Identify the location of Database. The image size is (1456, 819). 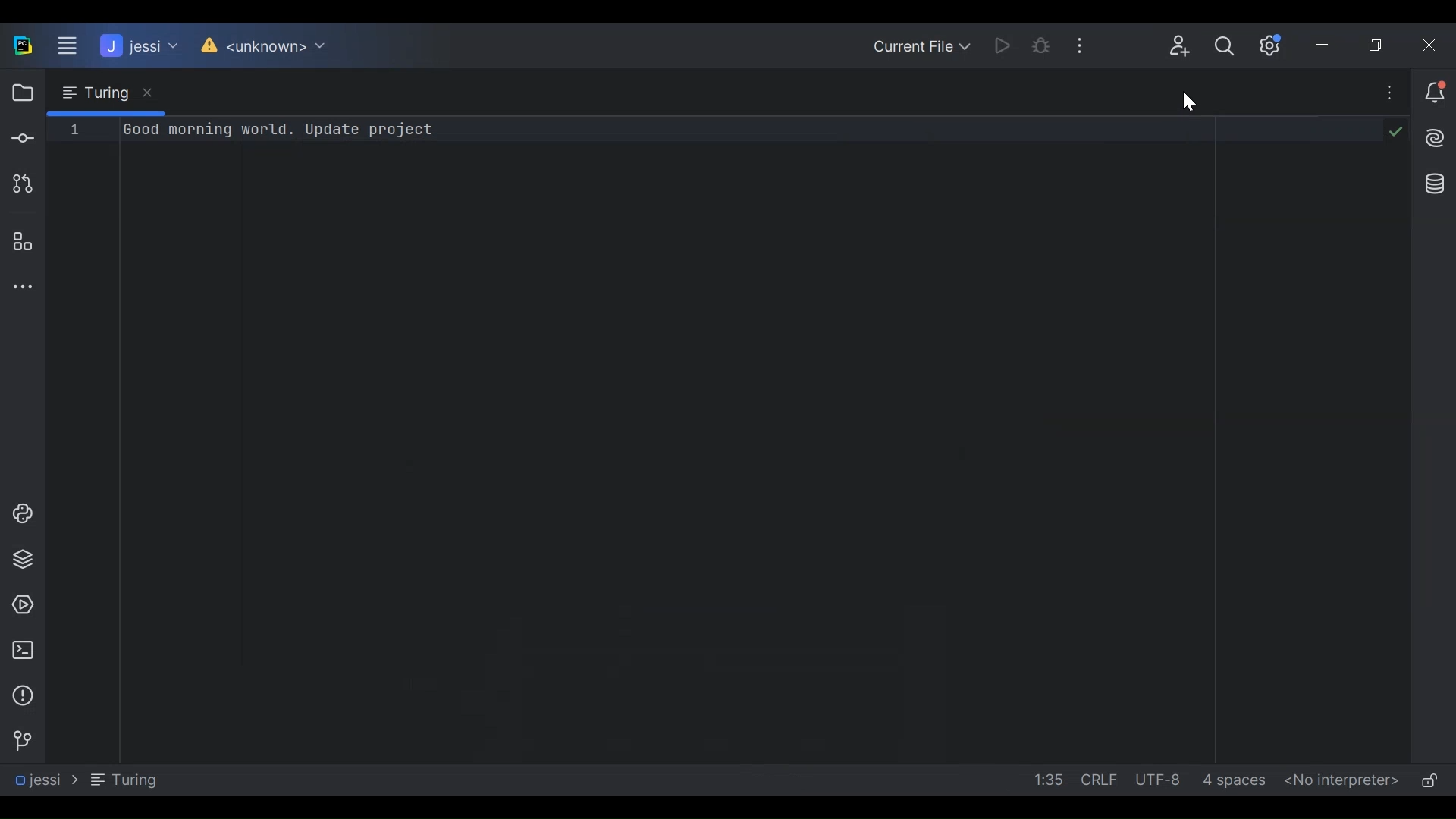
(1436, 188).